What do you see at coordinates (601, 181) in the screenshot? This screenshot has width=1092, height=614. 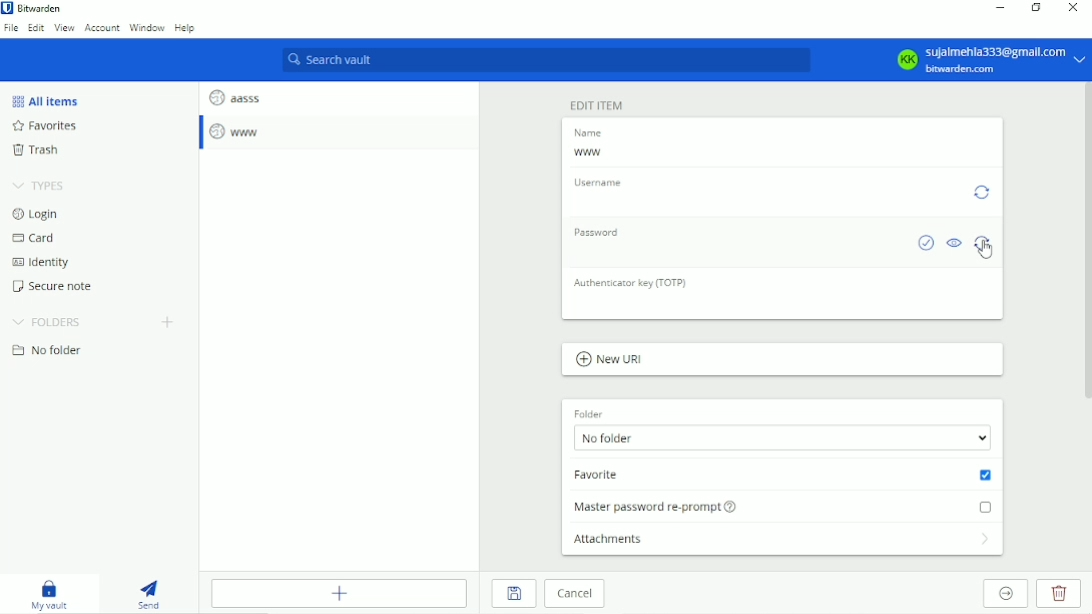 I see `Username` at bounding box center [601, 181].